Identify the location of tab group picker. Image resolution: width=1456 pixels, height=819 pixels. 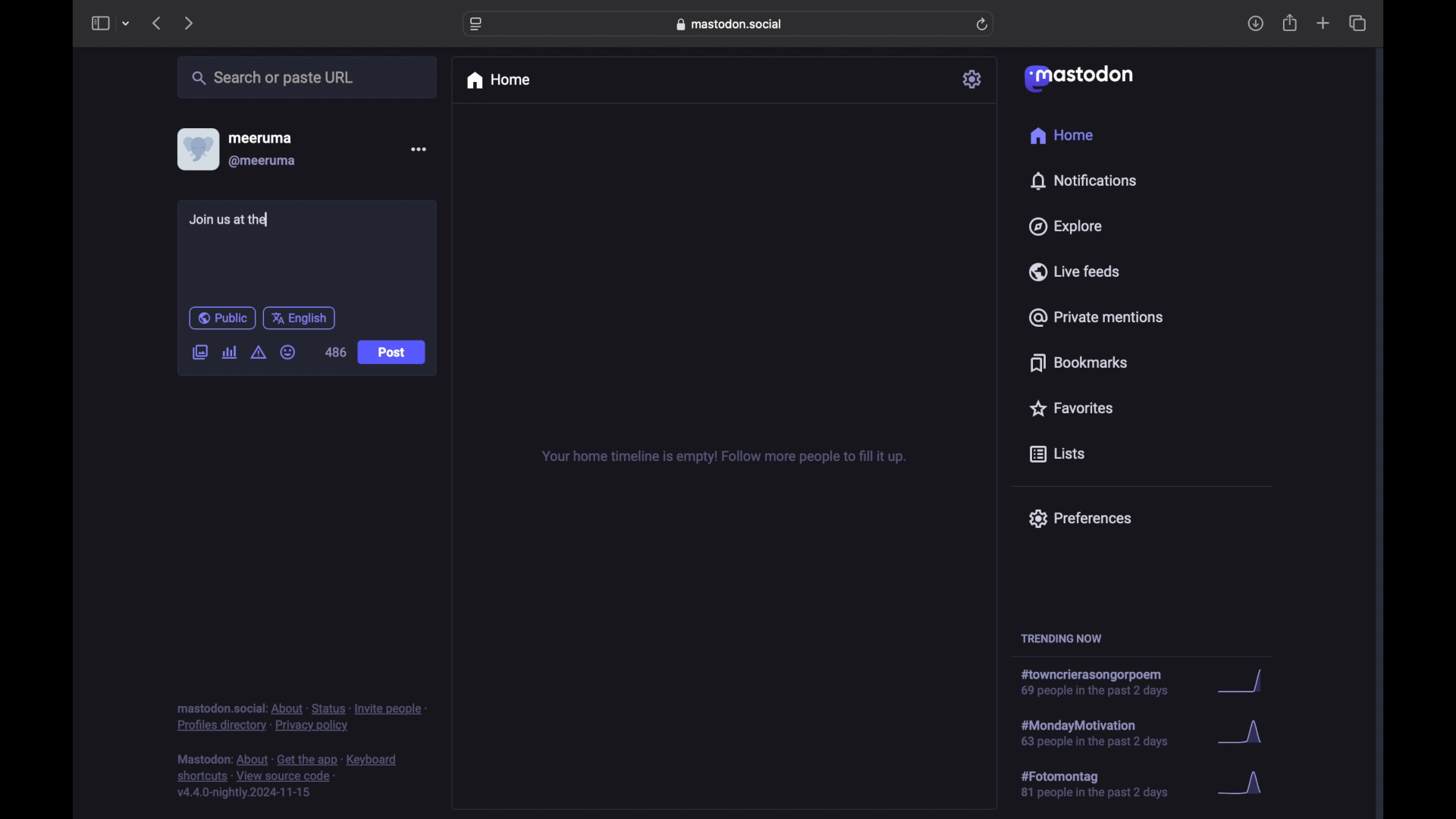
(126, 24).